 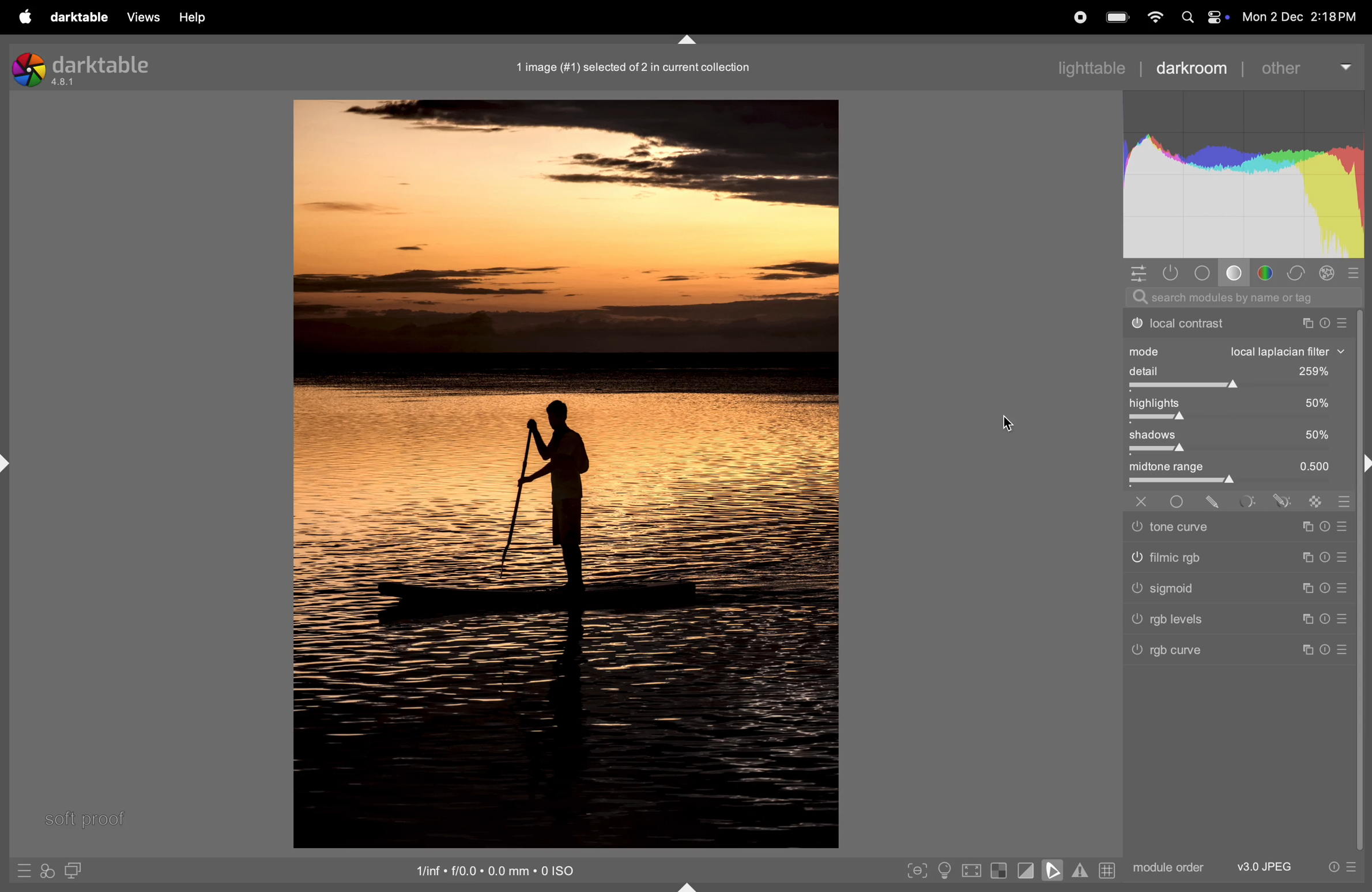 What do you see at coordinates (1026, 870) in the screenshot?
I see `toggle clipping indication` at bounding box center [1026, 870].